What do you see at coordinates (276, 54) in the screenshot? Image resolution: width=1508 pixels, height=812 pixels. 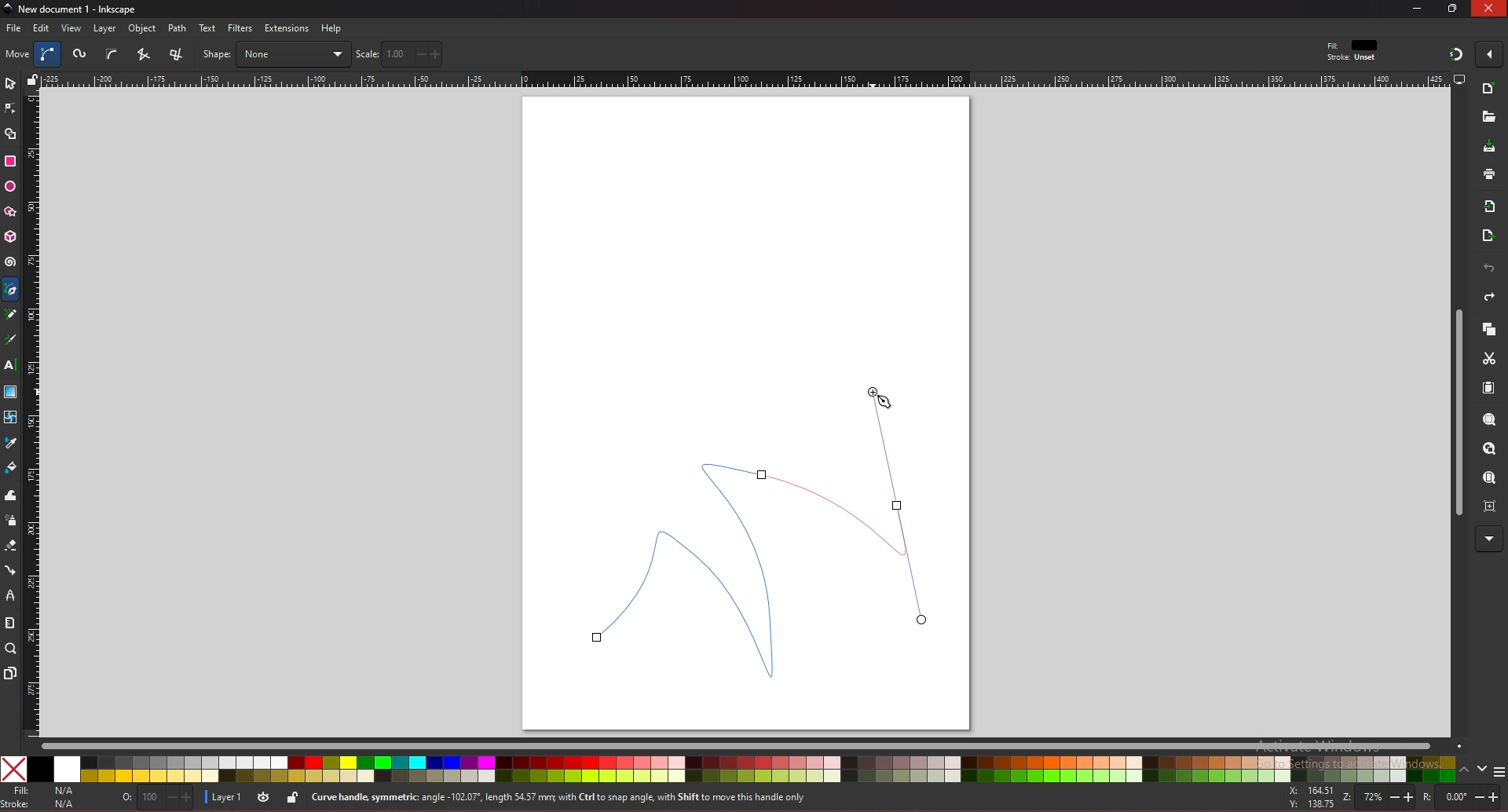 I see `shape` at bounding box center [276, 54].